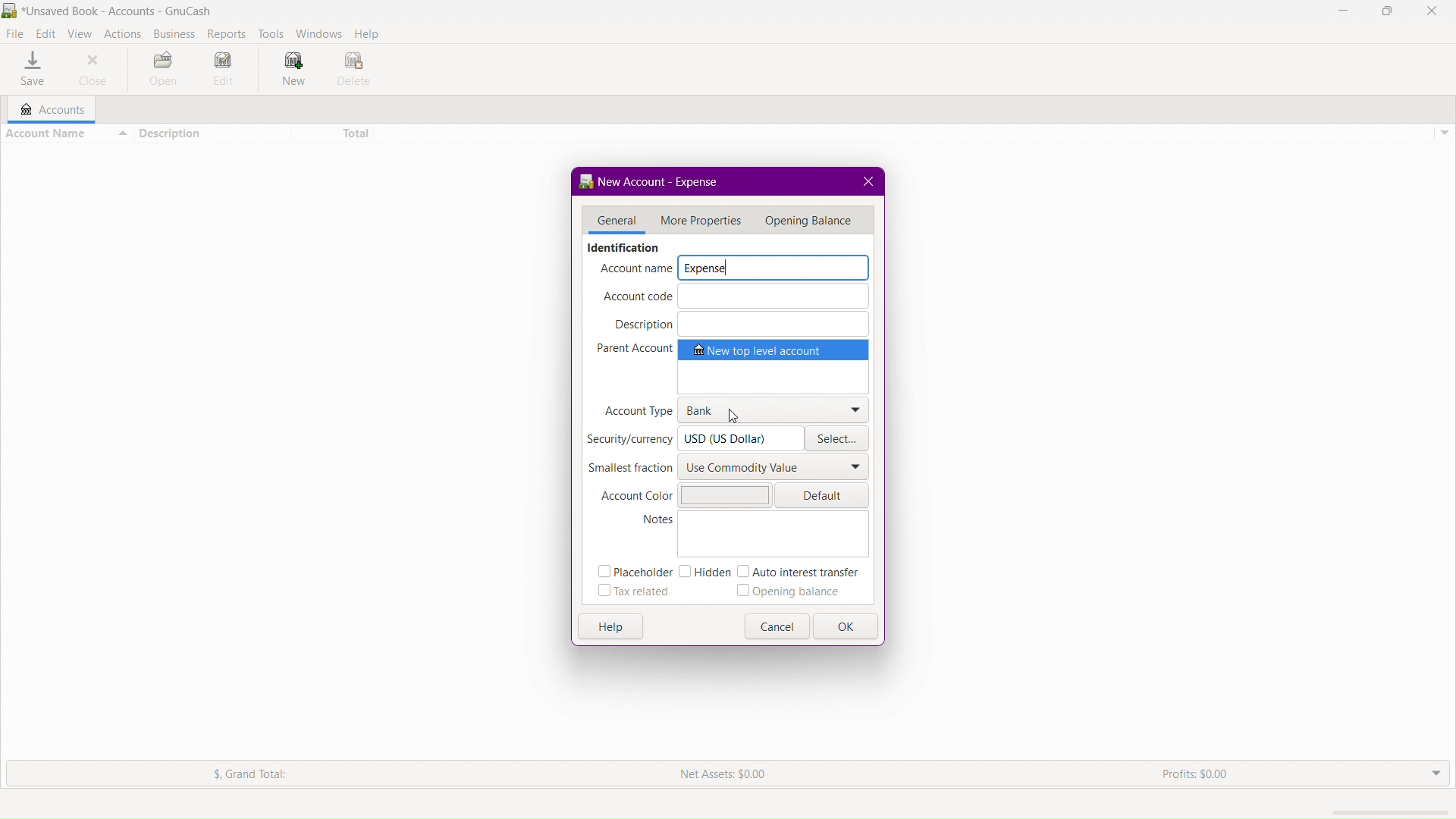 This screenshot has height=819, width=1456. Describe the element at coordinates (171, 30) in the screenshot. I see `Business` at that location.